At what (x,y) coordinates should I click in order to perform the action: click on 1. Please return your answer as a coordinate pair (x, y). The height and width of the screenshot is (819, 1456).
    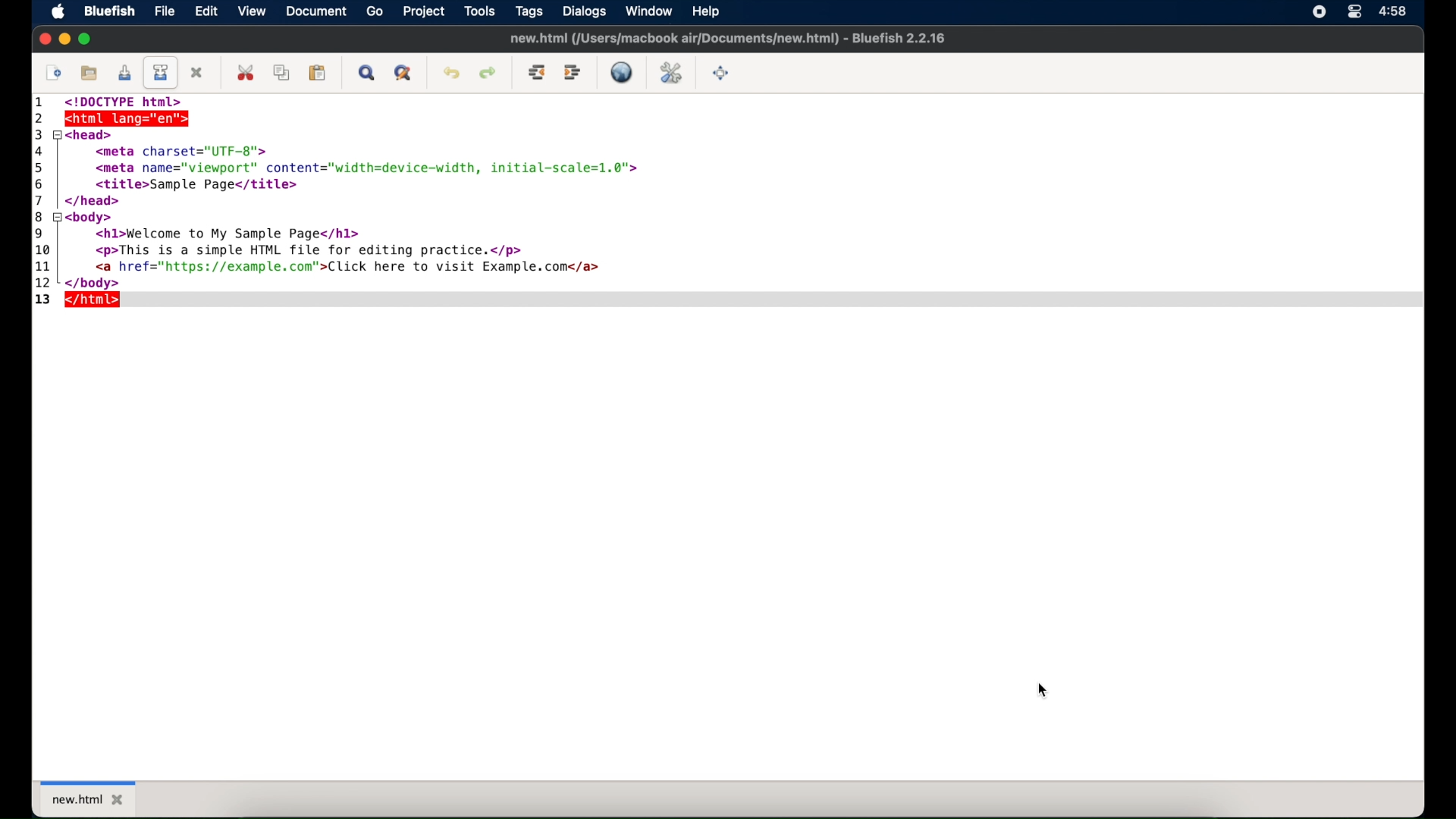
    Looking at the image, I should click on (42, 104).